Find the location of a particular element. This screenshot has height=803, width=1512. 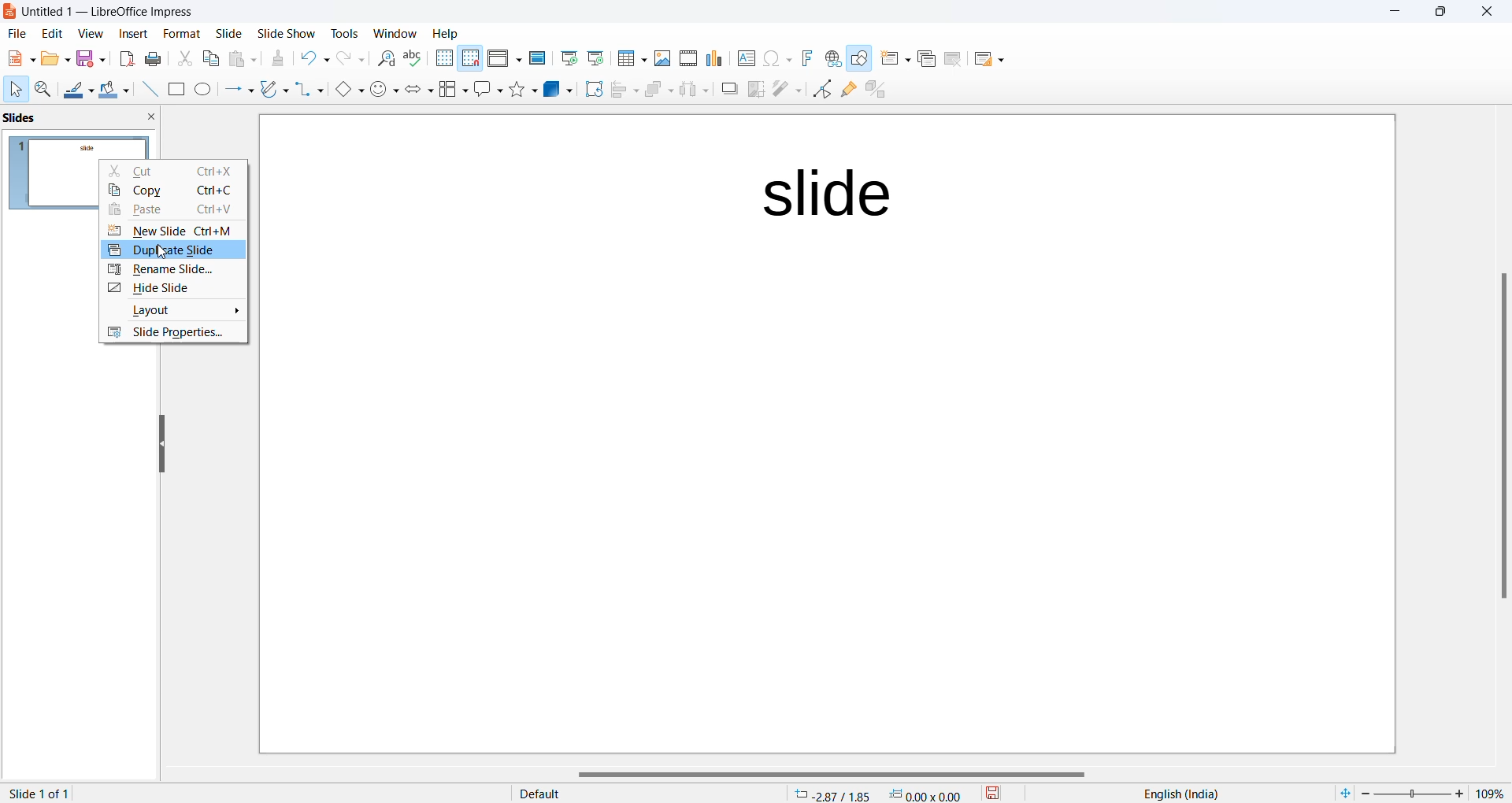

Zoom and pan is located at coordinates (41, 88).